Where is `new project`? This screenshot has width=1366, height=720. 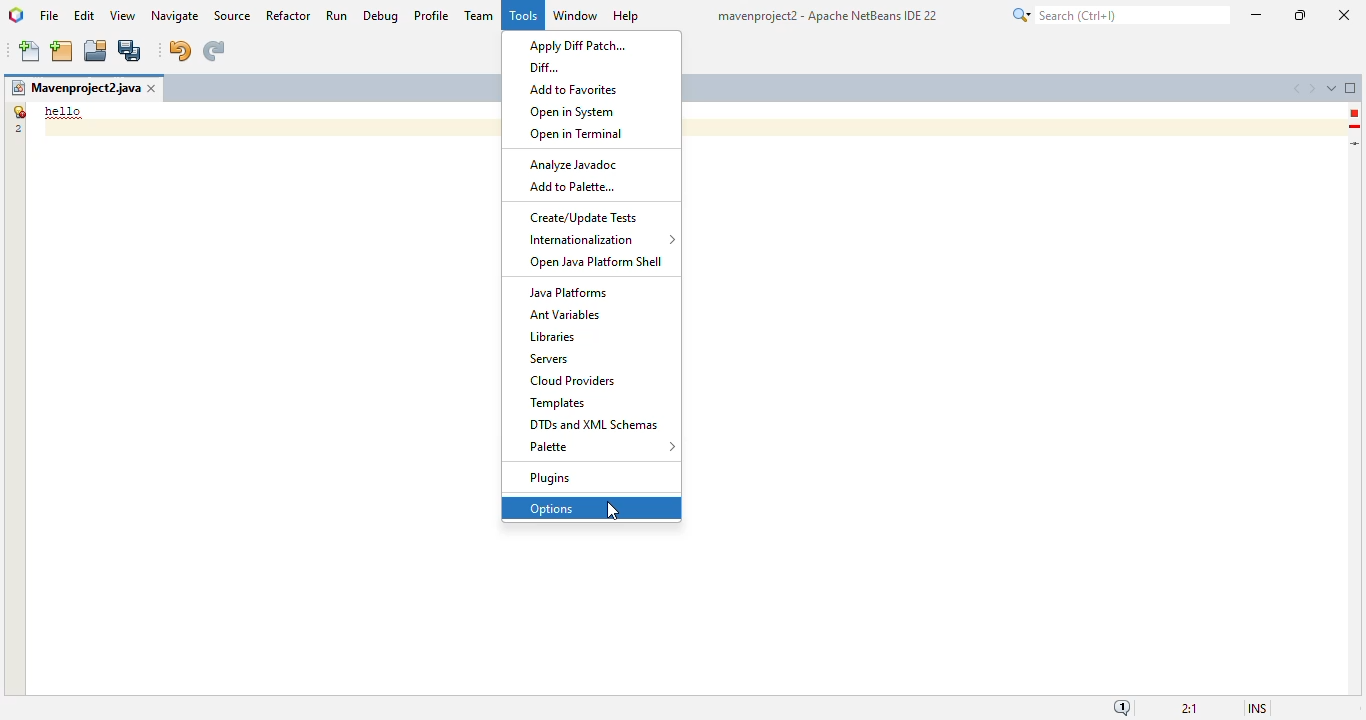
new project is located at coordinates (61, 51).